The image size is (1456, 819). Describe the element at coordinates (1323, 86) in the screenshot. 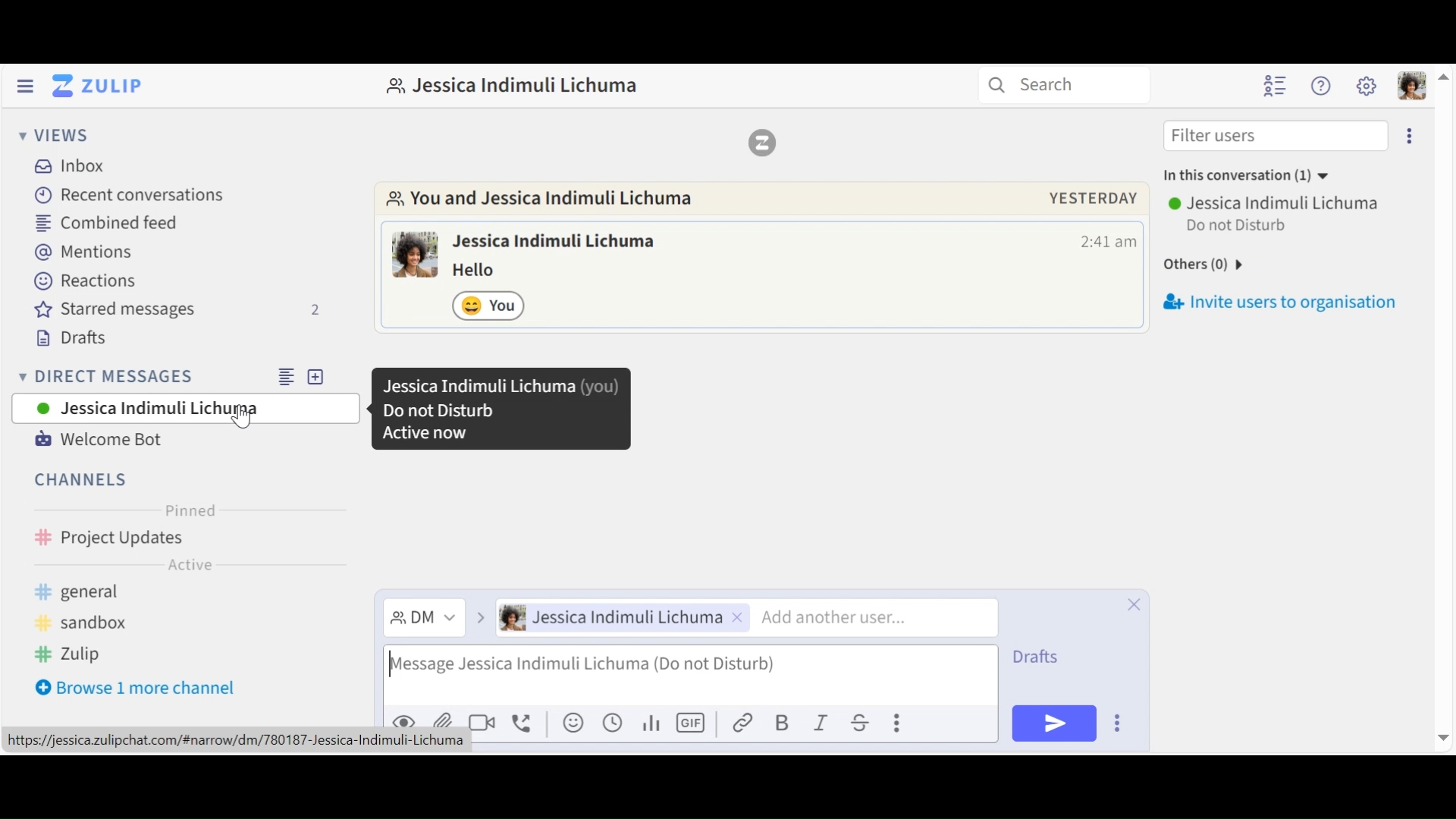

I see `Help menu` at that location.